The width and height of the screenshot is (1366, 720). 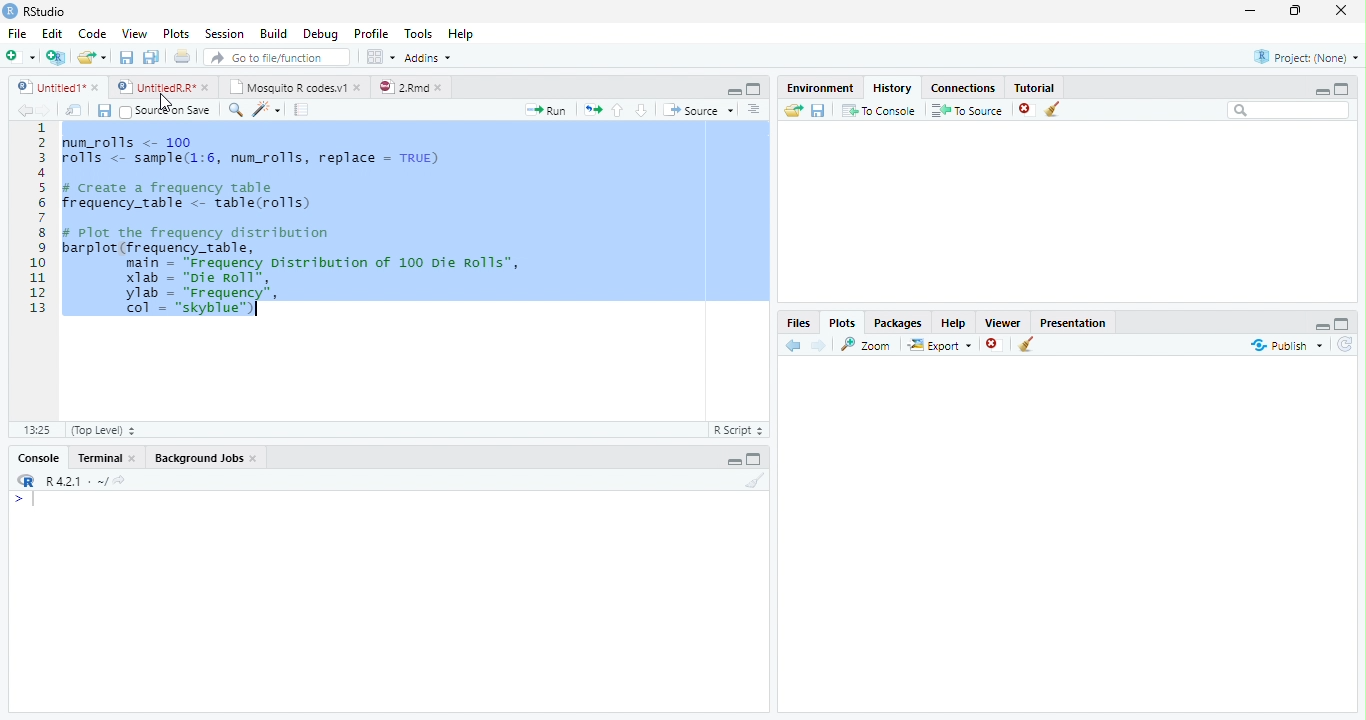 I want to click on New File, so click(x=20, y=56).